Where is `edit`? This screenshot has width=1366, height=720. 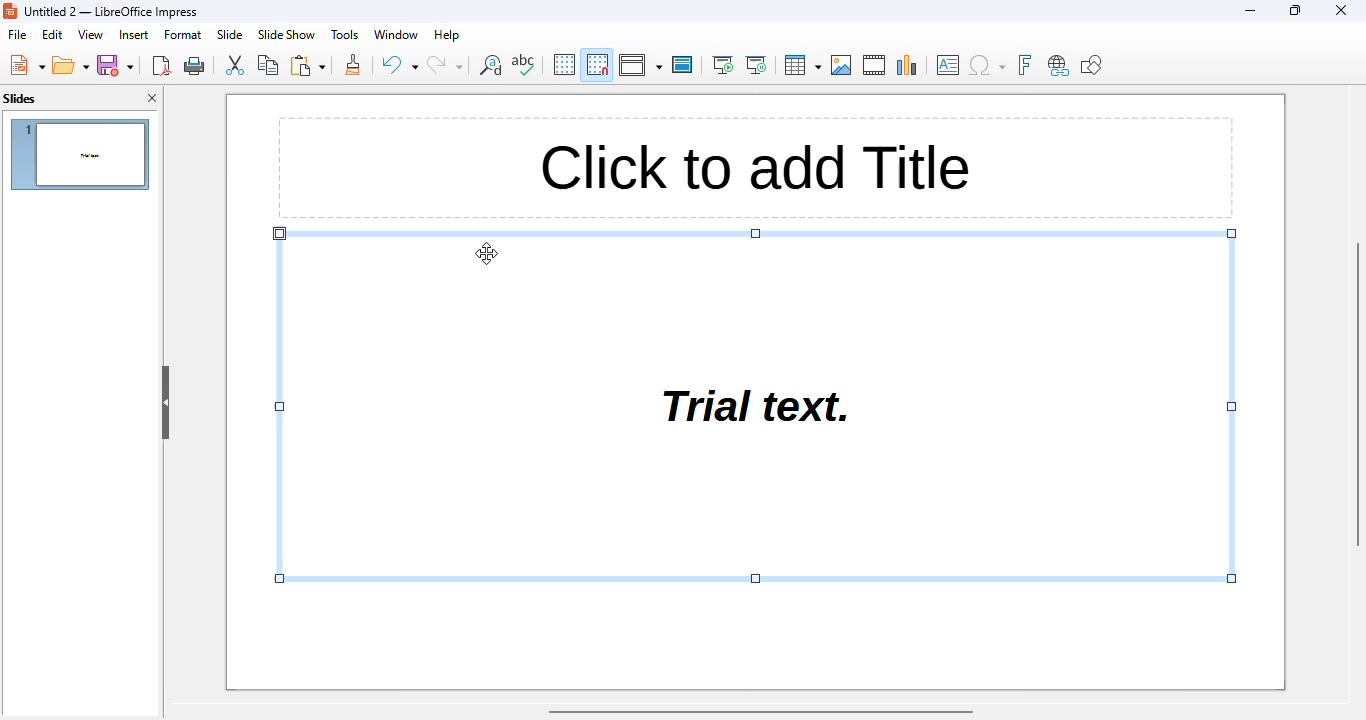 edit is located at coordinates (53, 34).